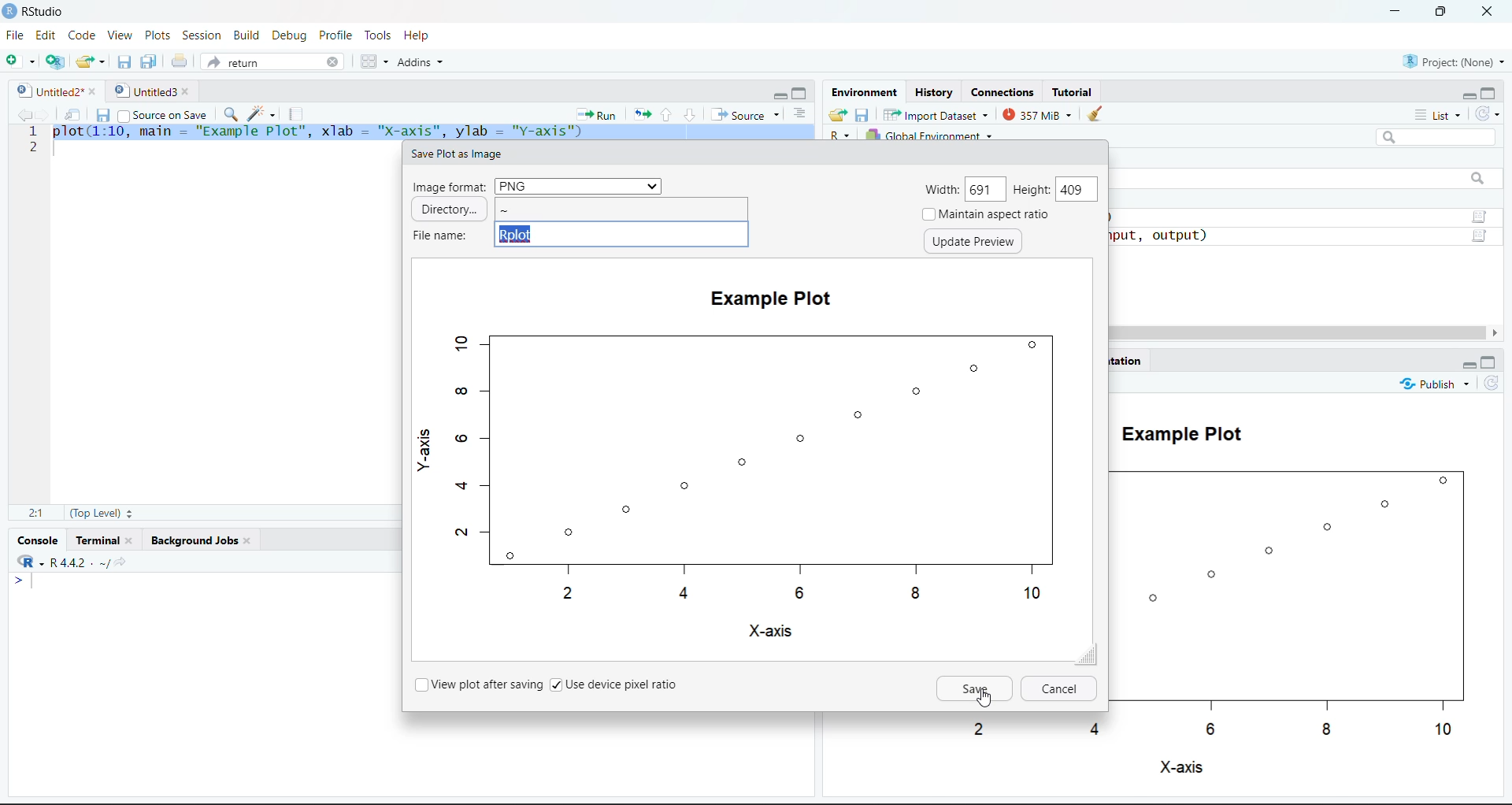  Describe the element at coordinates (984, 699) in the screenshot. I see `Cursor` at that location.